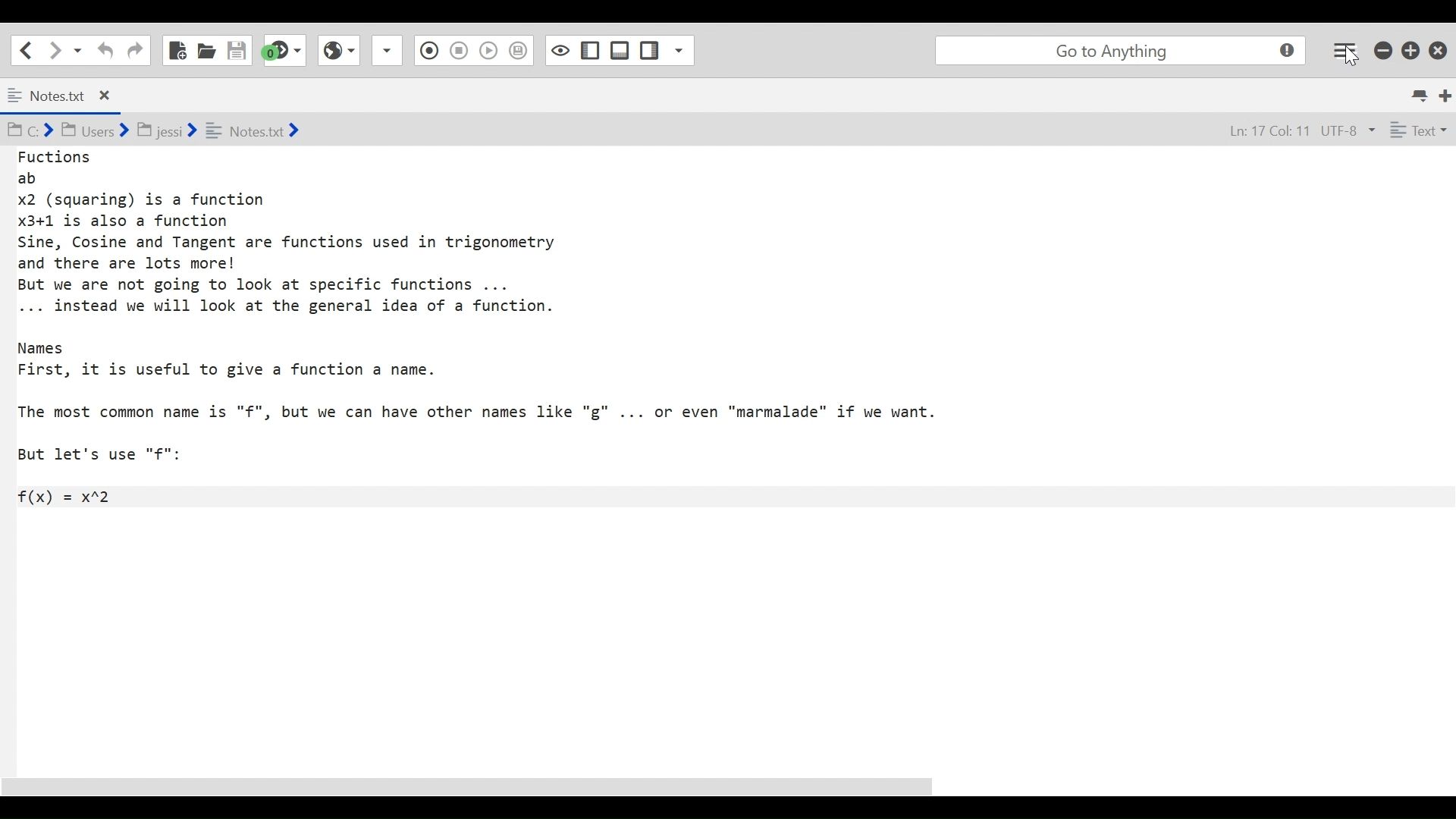  I want to click on Toggle Focus mode, so click(520, 51).